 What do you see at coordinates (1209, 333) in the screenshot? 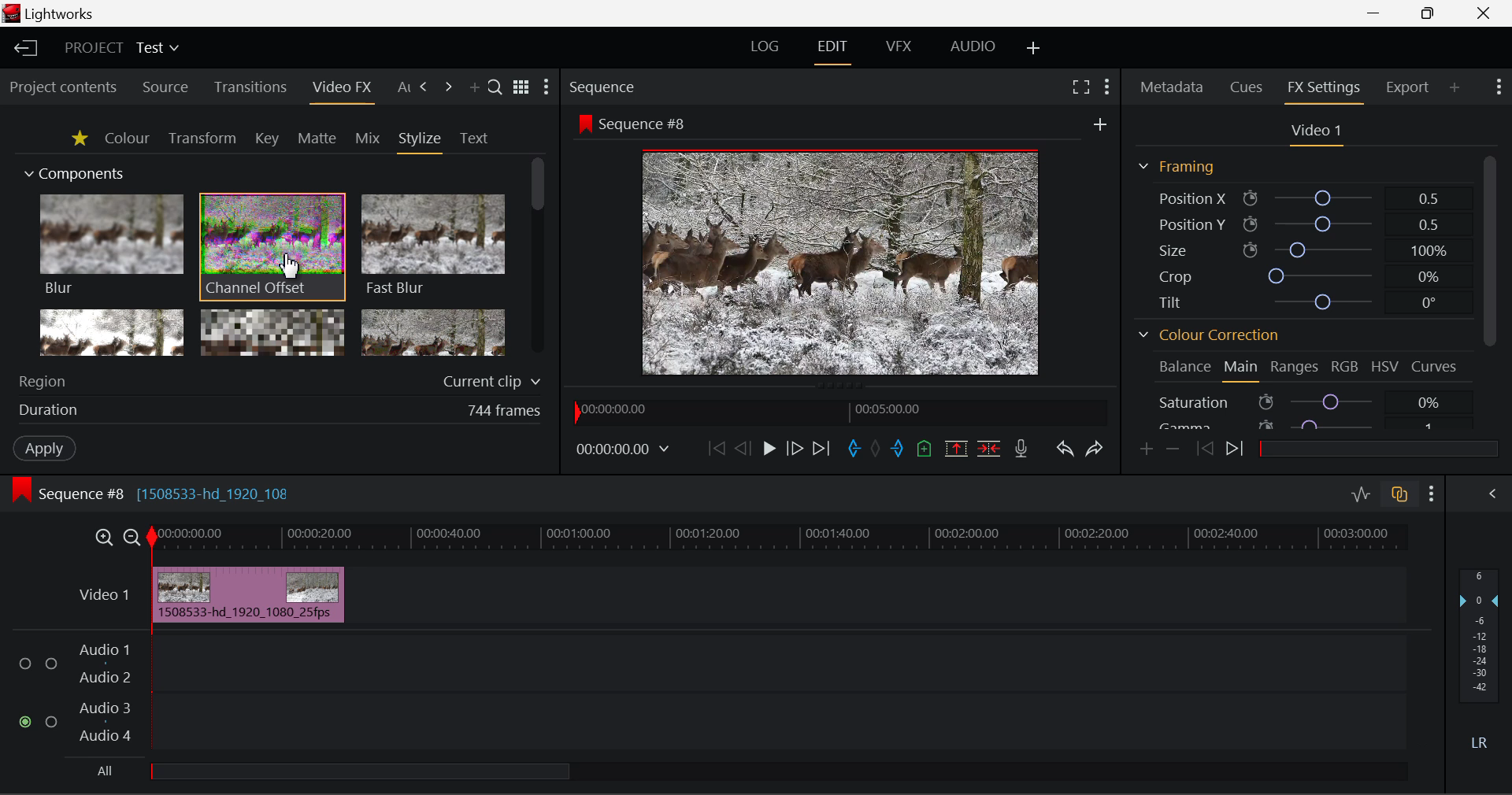
I see `Colour Correction` at bounding box center [1209, 333].